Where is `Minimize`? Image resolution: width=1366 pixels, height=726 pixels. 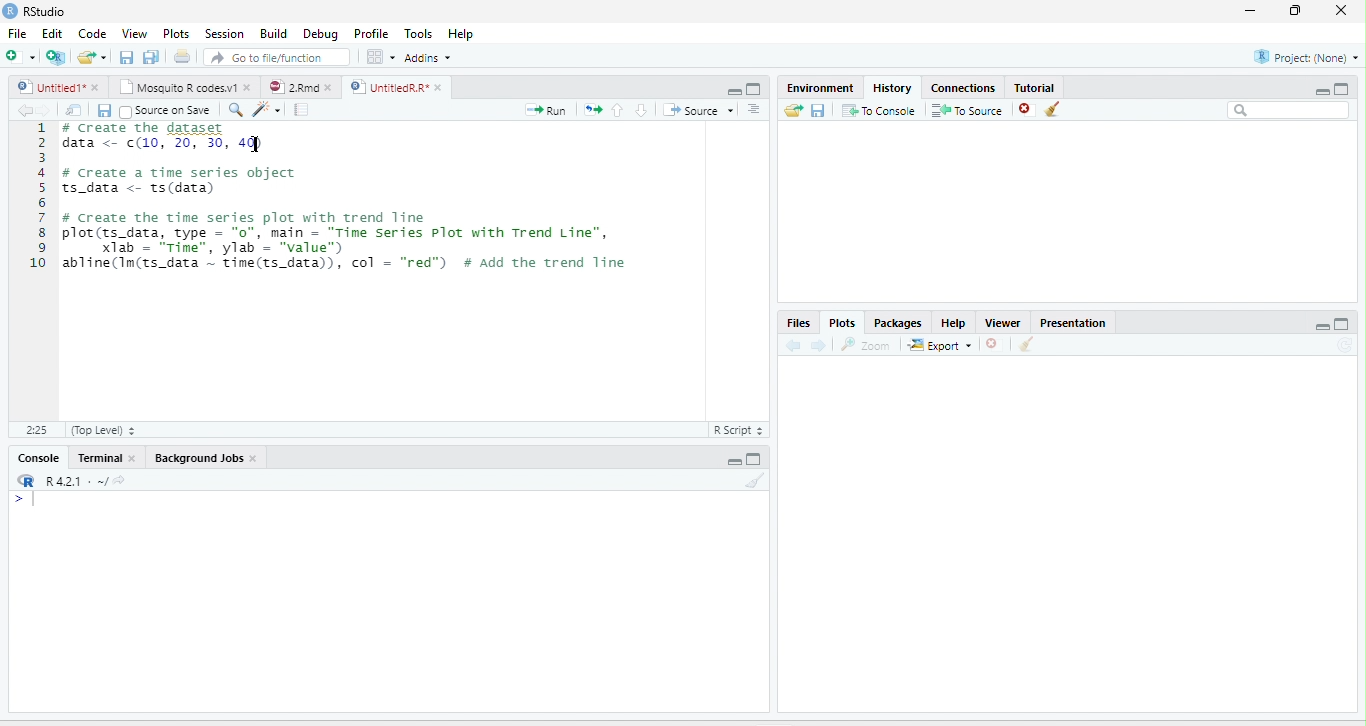
Minimize is located at coordinates (1321, 91).